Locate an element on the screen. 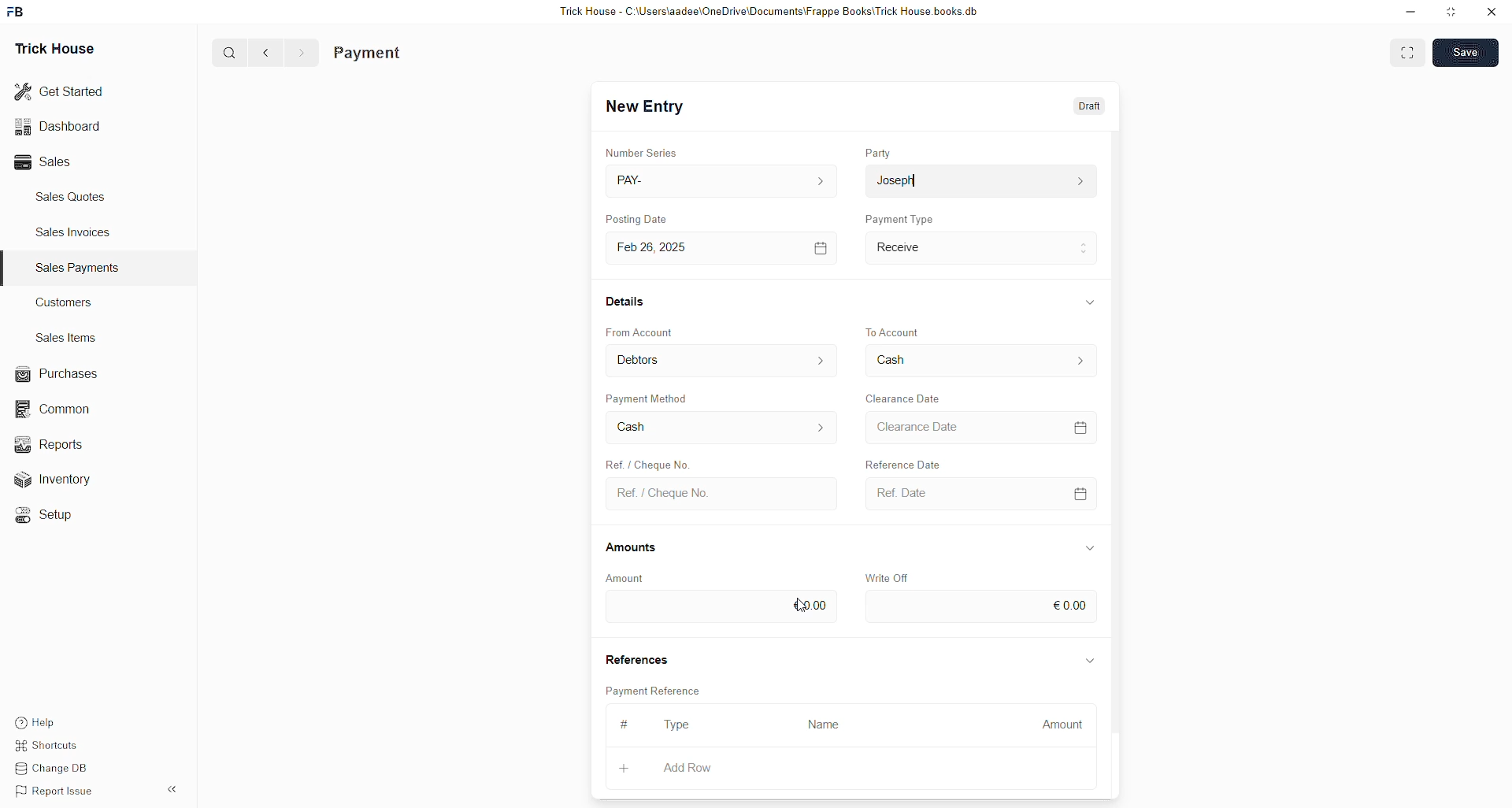 The image size is (1512, 808). Hide sidebar is located at coordinates (172, 789).